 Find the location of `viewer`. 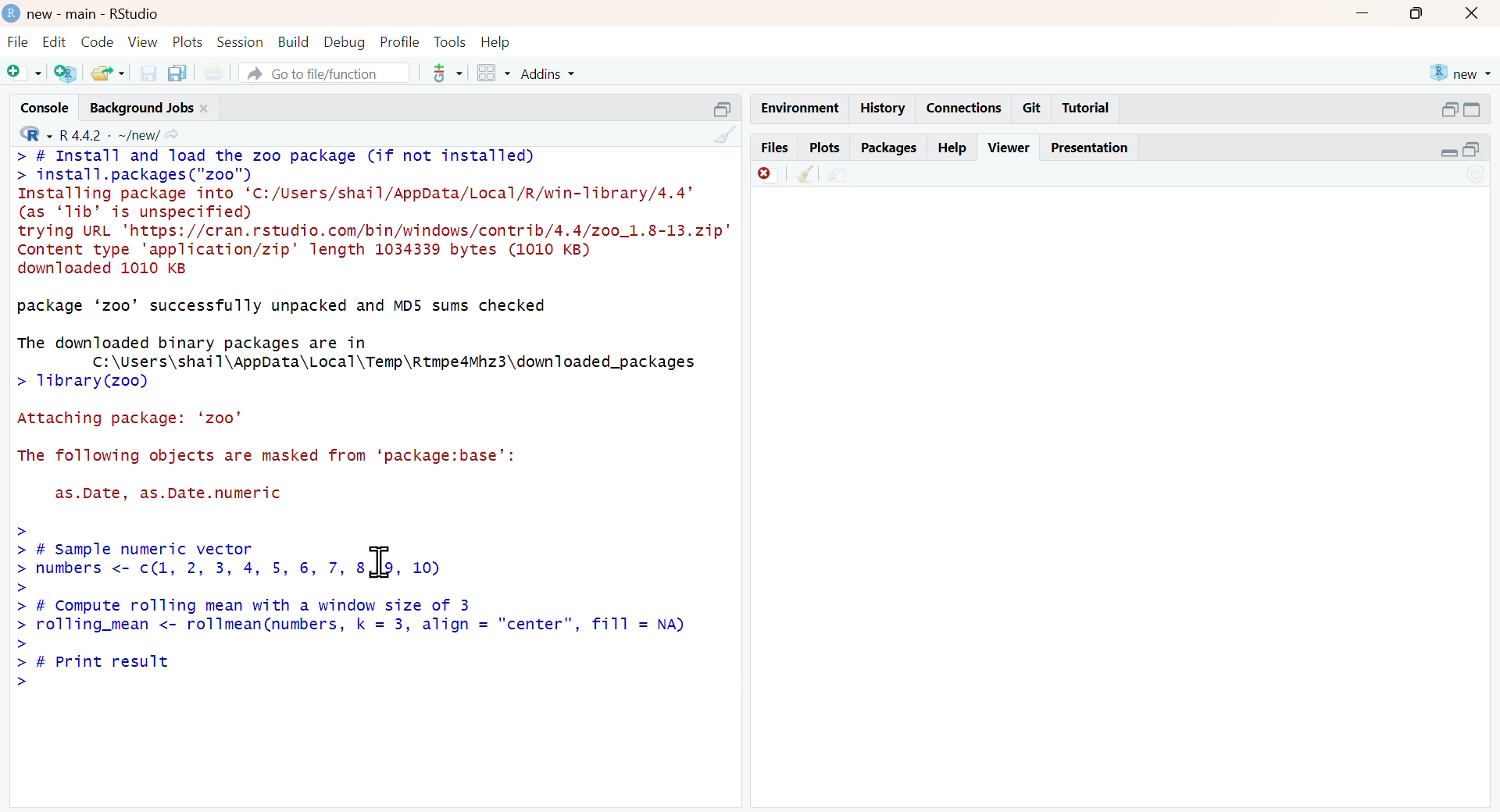

viewer is located at coordinates (1011, 148).